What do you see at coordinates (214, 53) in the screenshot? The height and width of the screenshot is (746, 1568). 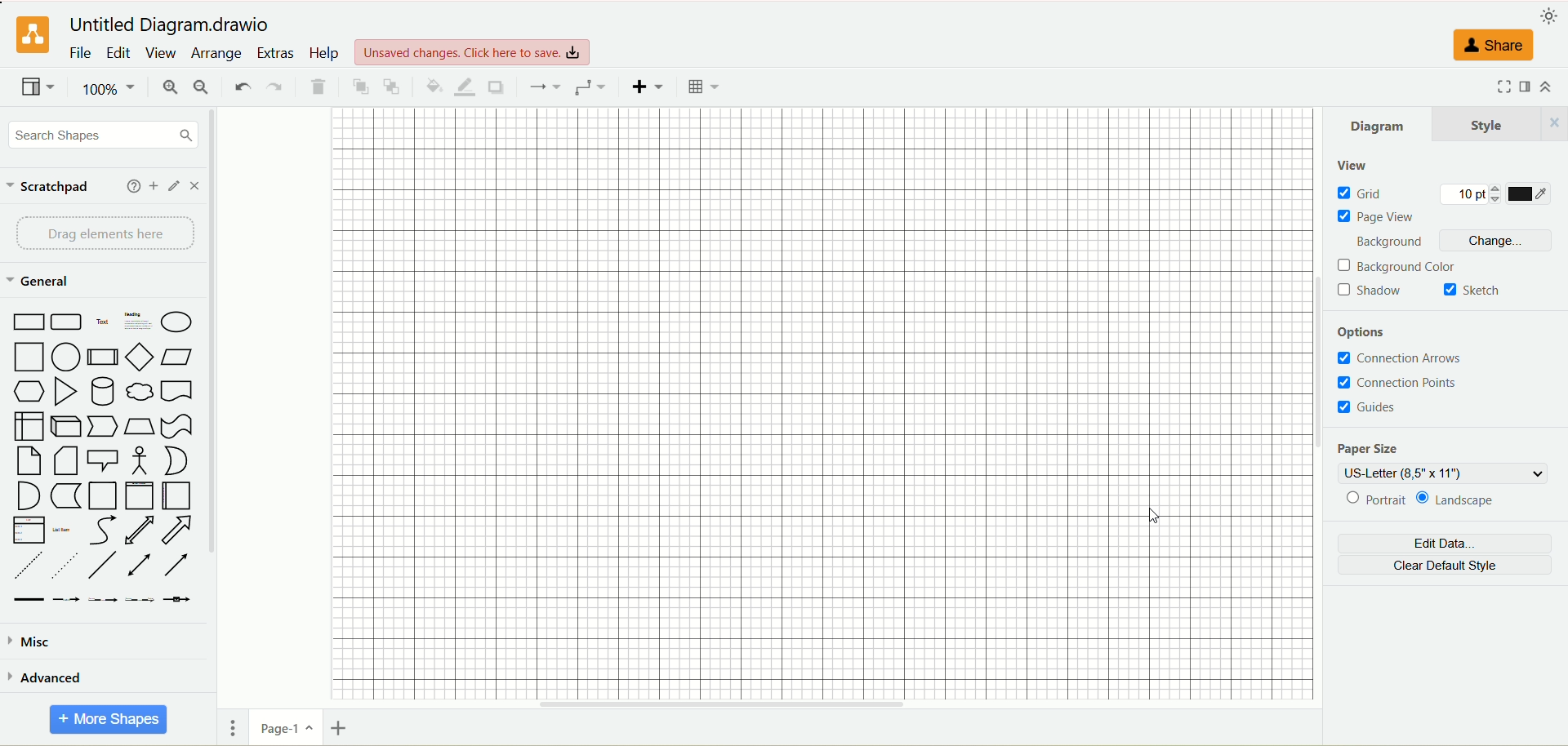 I see `arrange` at bounding box center [214, 53].